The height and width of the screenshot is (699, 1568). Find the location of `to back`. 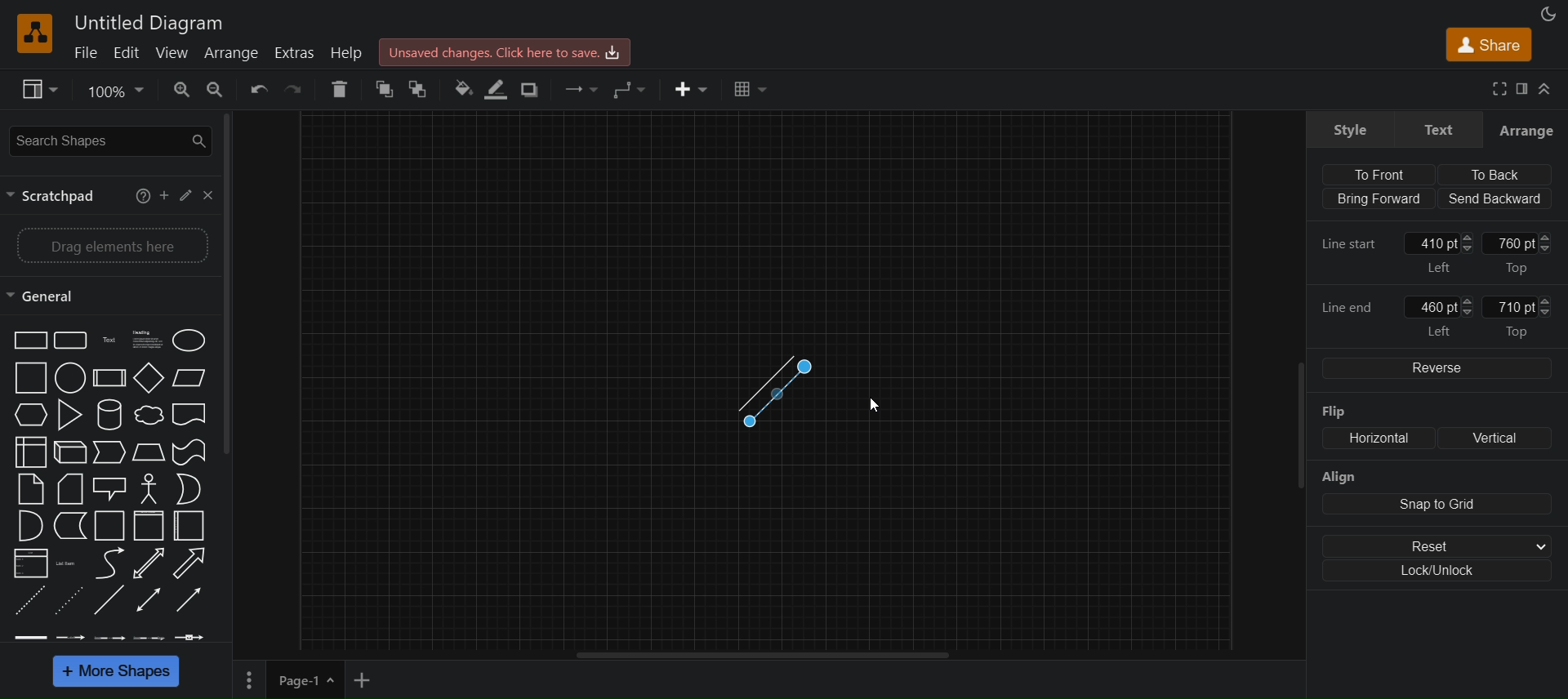

to back is located at coordinates (419, 89).